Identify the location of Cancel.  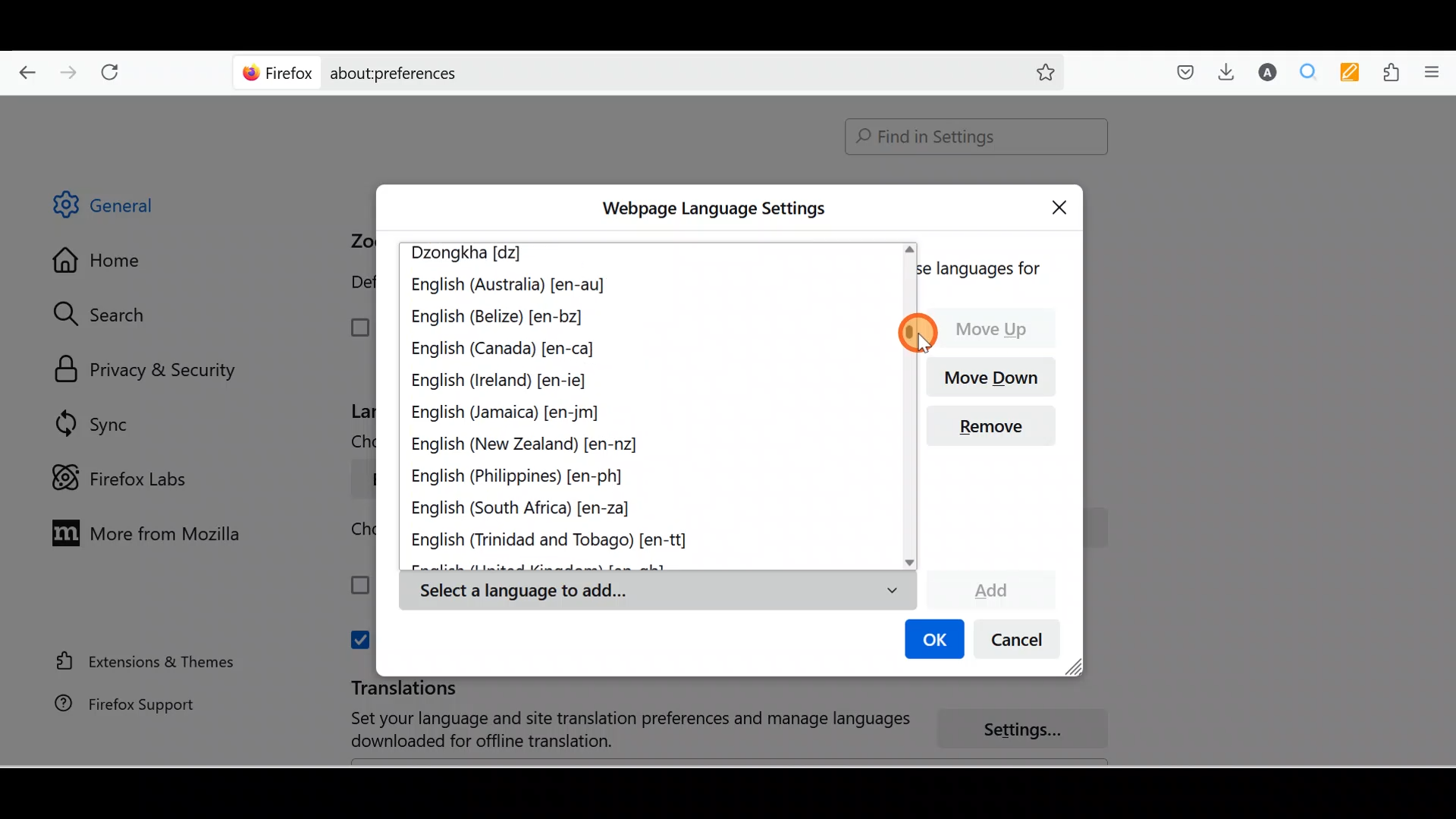
(1021, 643).